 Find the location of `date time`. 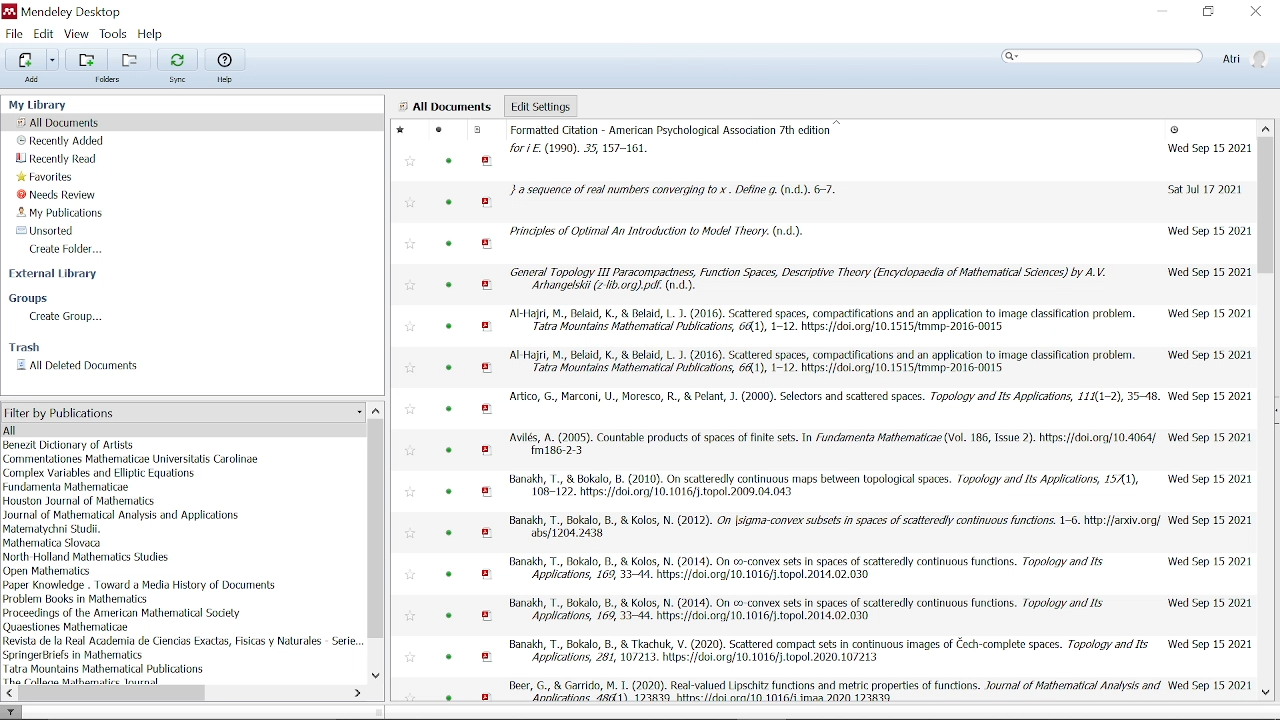

date time is located at coordinates (1208, 643).